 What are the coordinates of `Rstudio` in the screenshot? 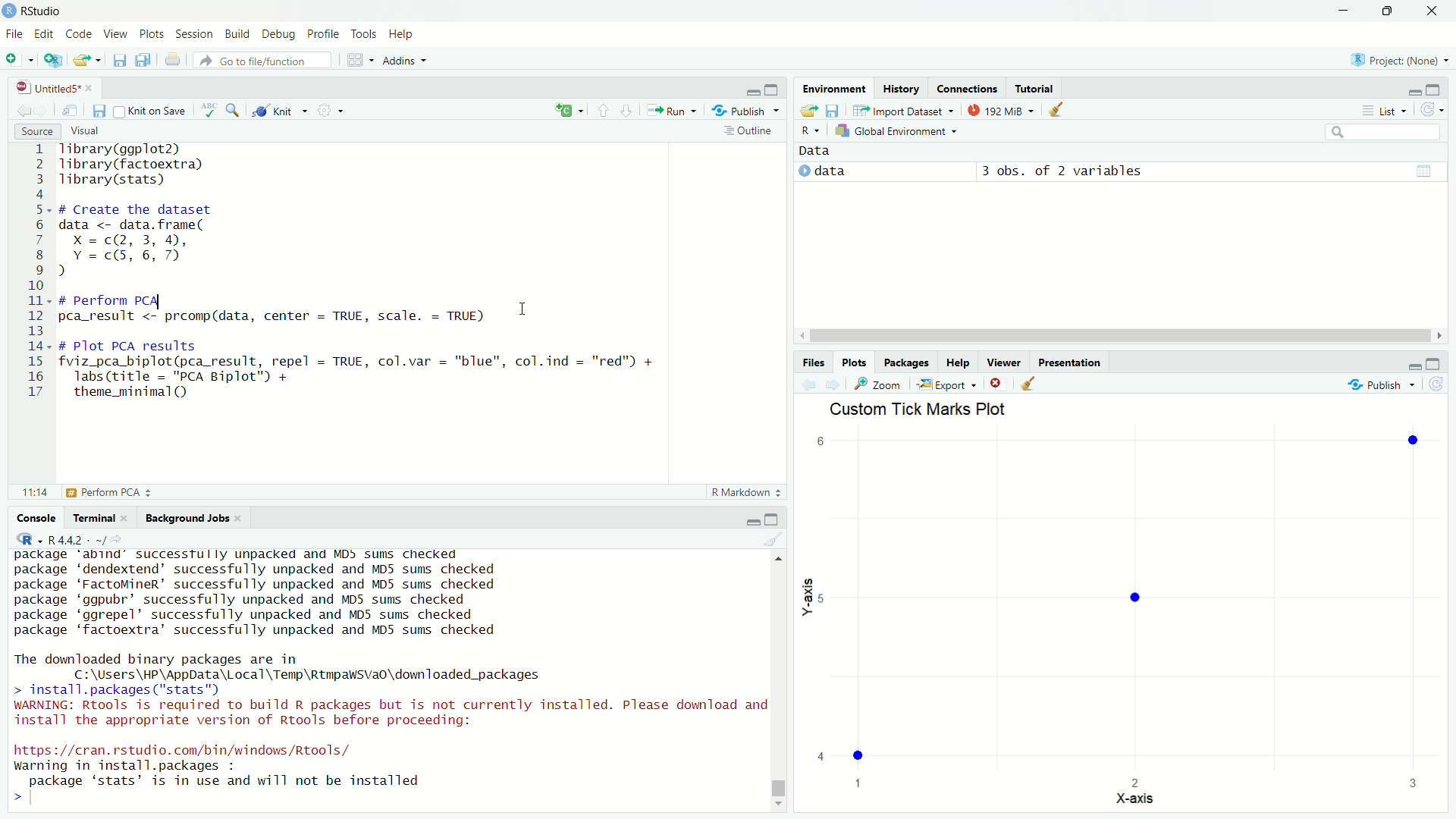 It's located at (50, 11).